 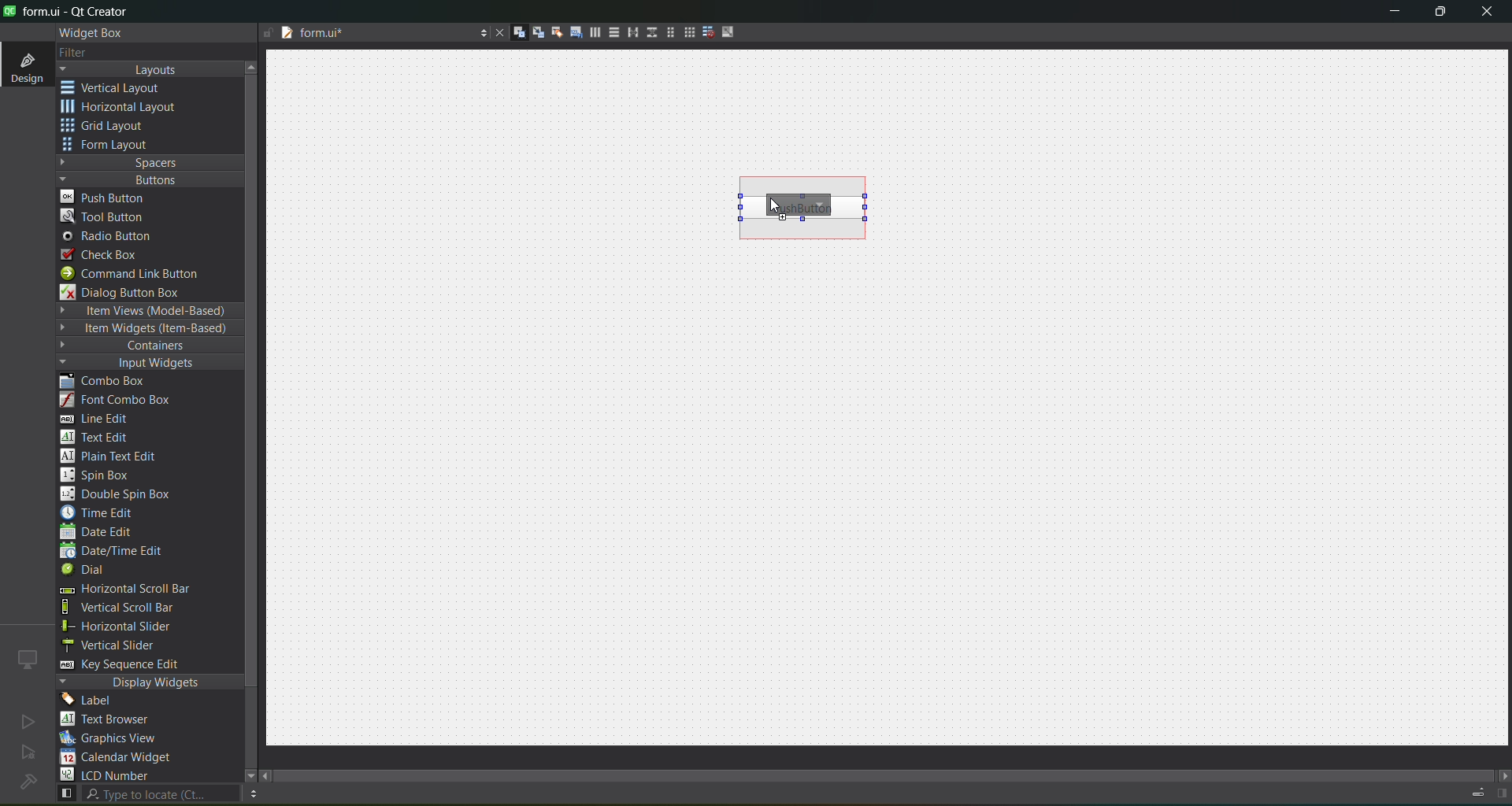 I want to click on item views, so click(x=148, y=312).